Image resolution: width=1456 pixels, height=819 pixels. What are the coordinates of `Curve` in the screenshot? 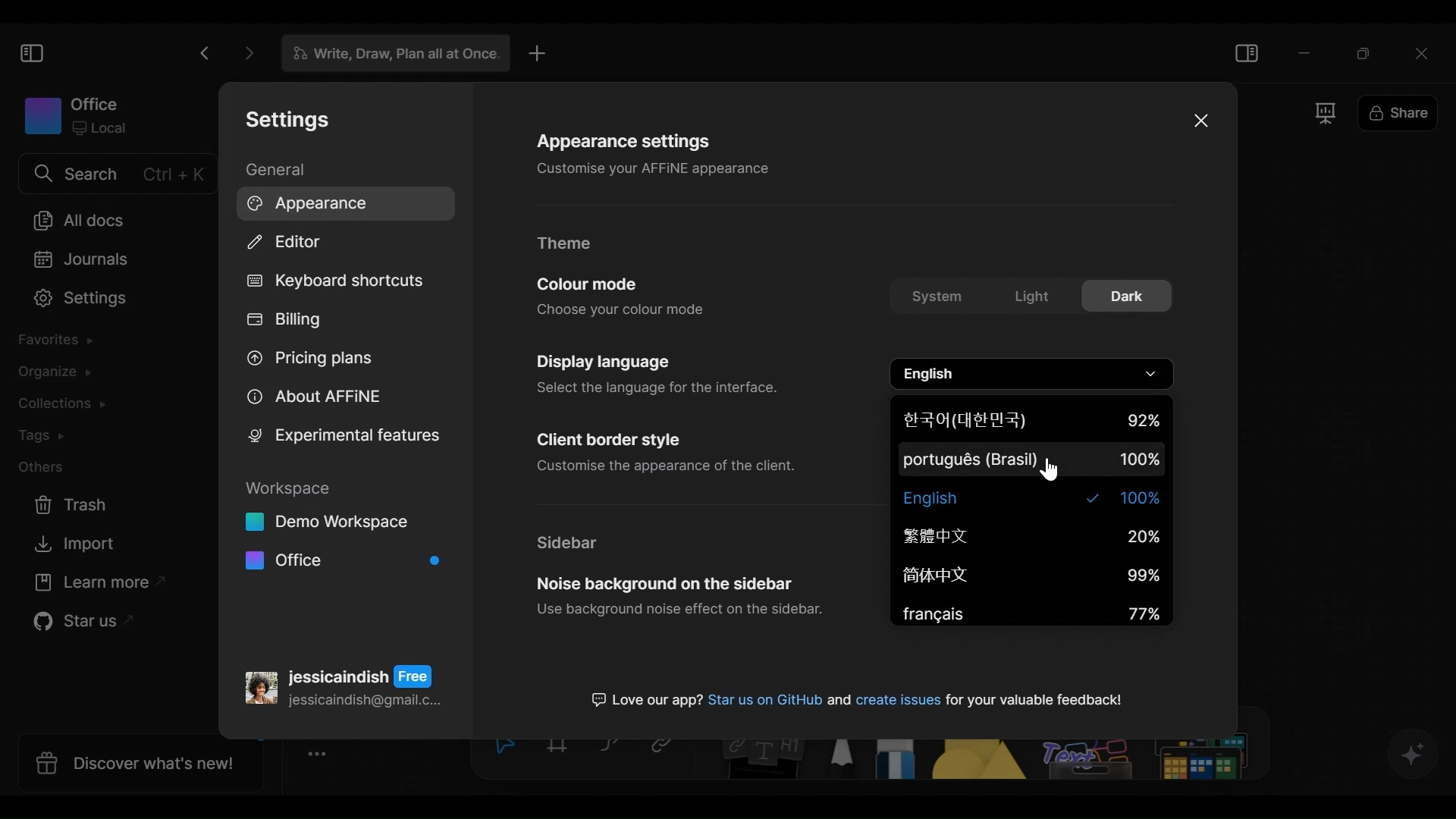 It's located at (612, 748).